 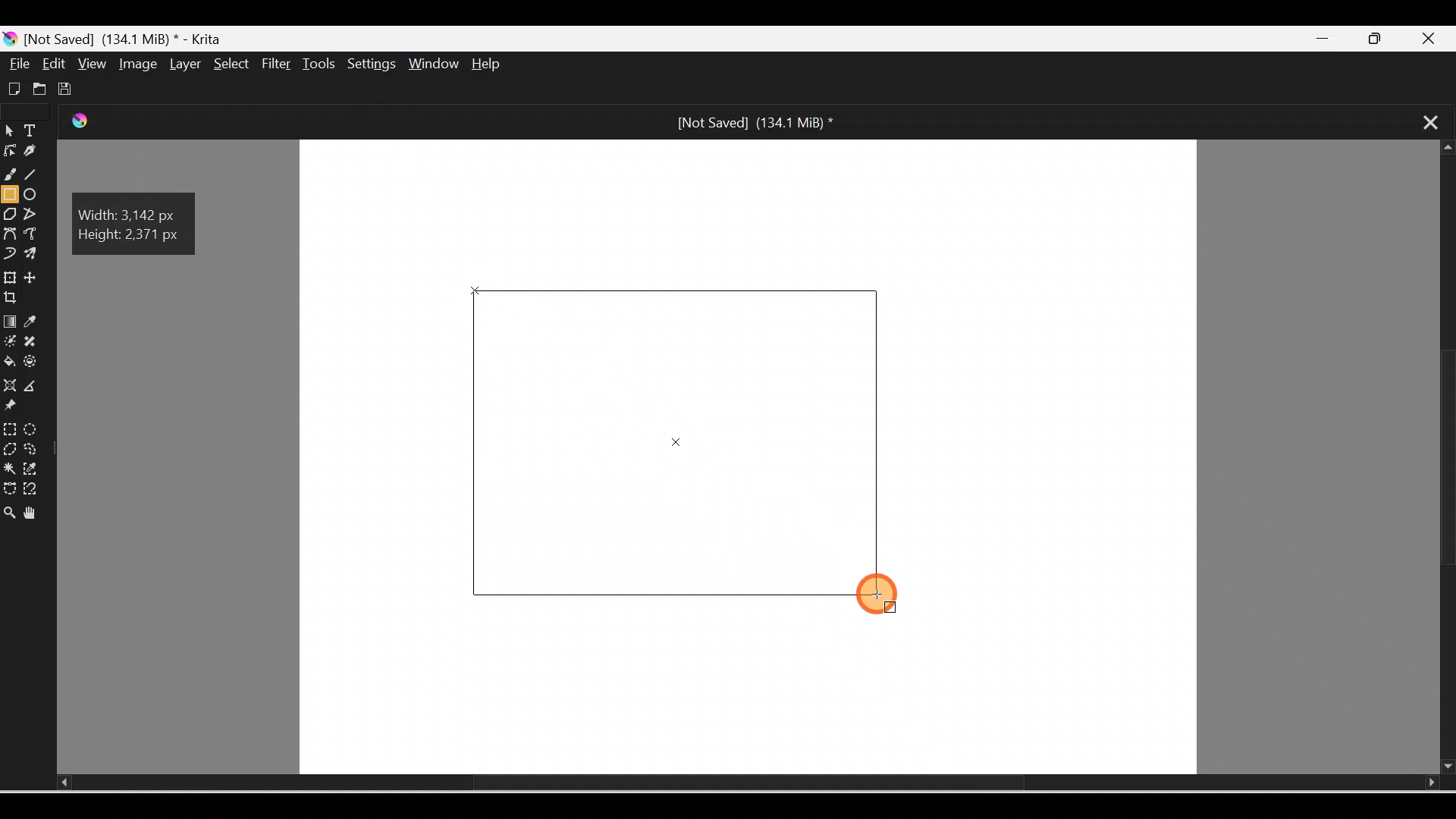 I want to click on Polygonal selection tool, so click(x=10, y=447).